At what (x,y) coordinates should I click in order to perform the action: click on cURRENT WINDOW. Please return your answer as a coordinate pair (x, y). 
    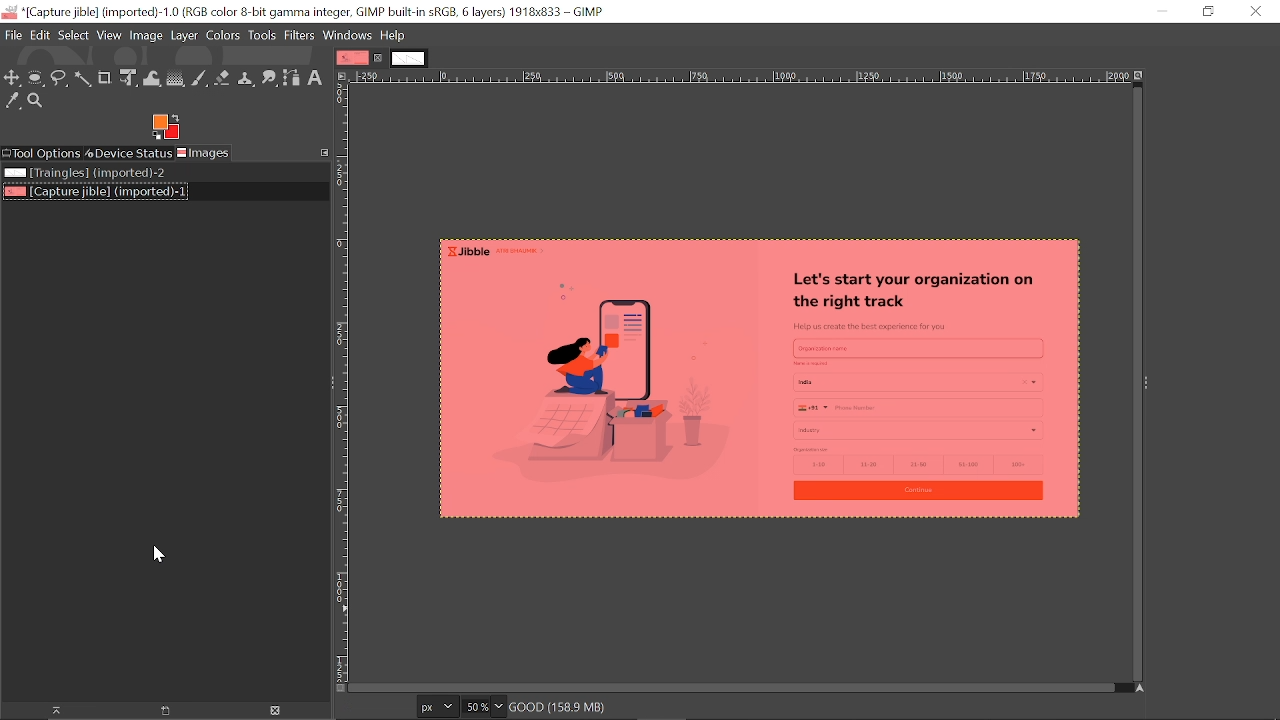
    Looking at the image, I should click on (304, 11).